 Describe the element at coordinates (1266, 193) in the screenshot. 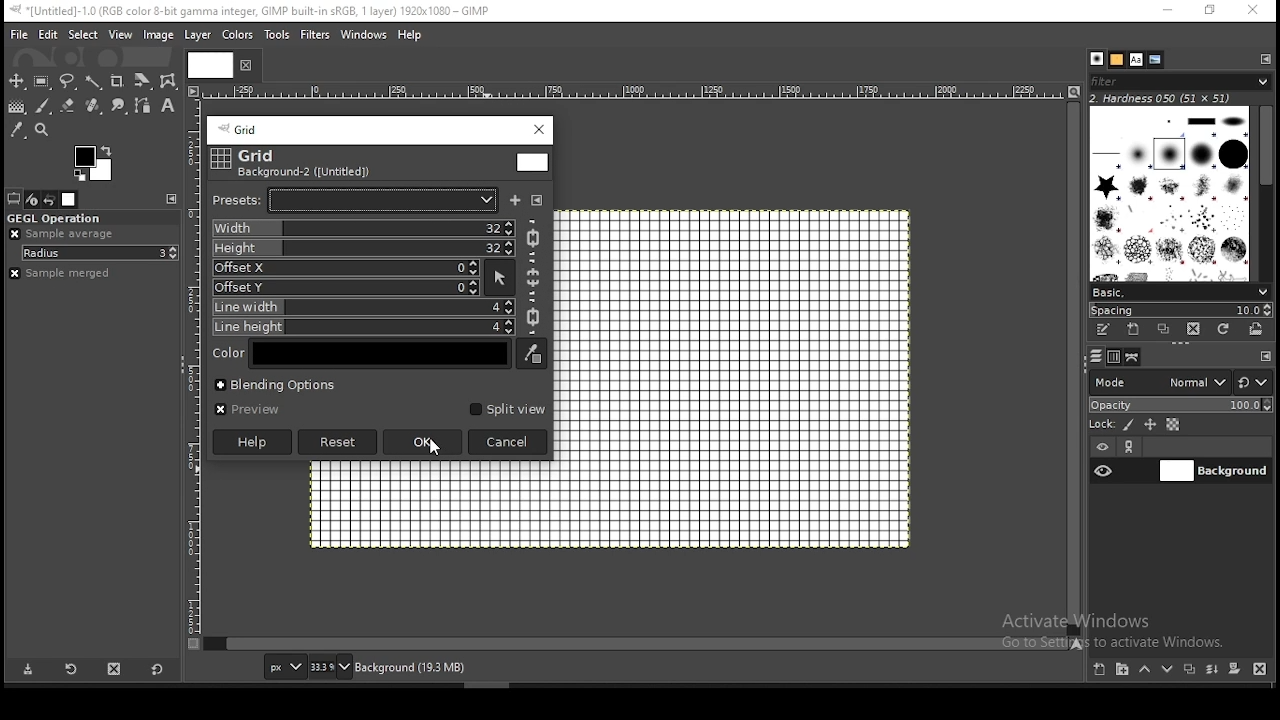

I see `scroll bar` at that location.